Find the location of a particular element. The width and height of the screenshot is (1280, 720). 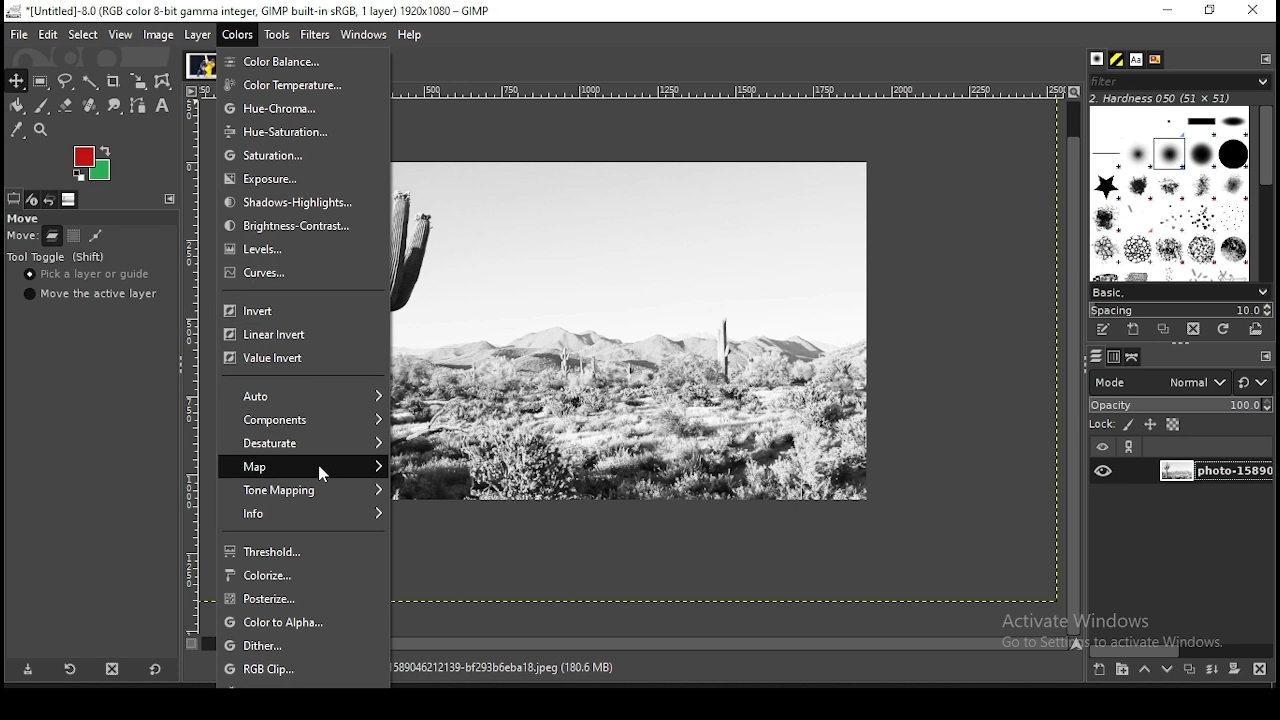

reload tool preset is located at coordinates (72, 668).